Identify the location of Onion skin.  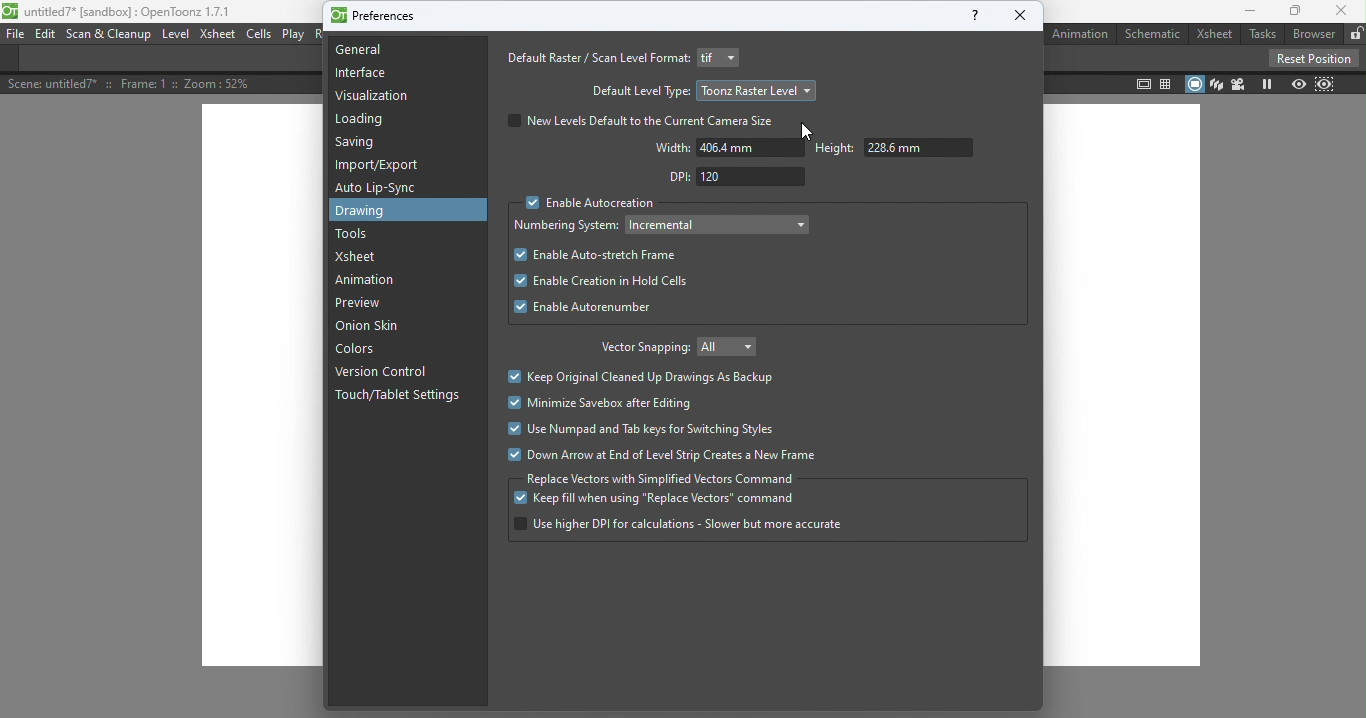
(373, 328).